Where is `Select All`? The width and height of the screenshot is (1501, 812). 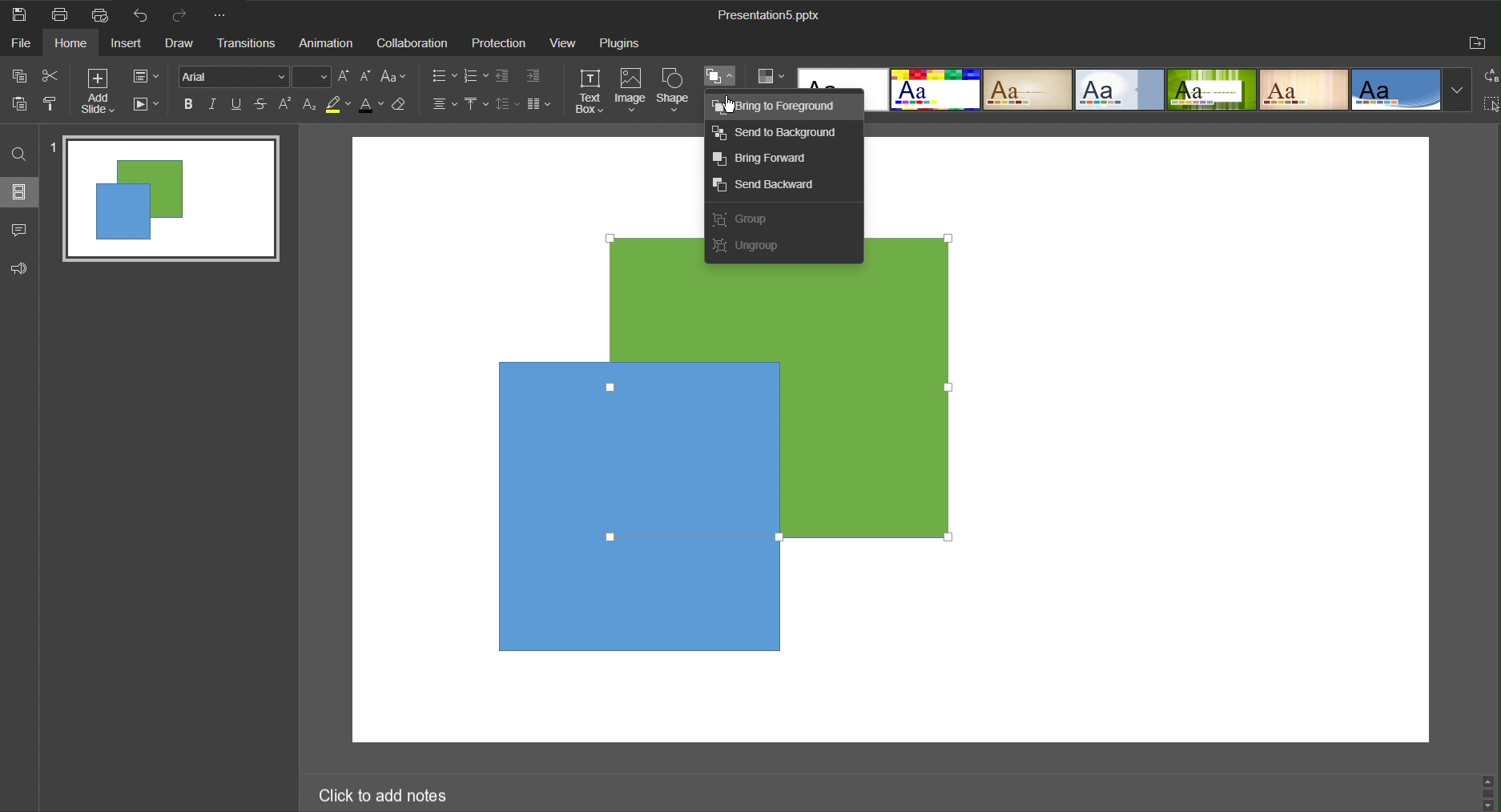 Select All is located at coordinates (1491, 107).